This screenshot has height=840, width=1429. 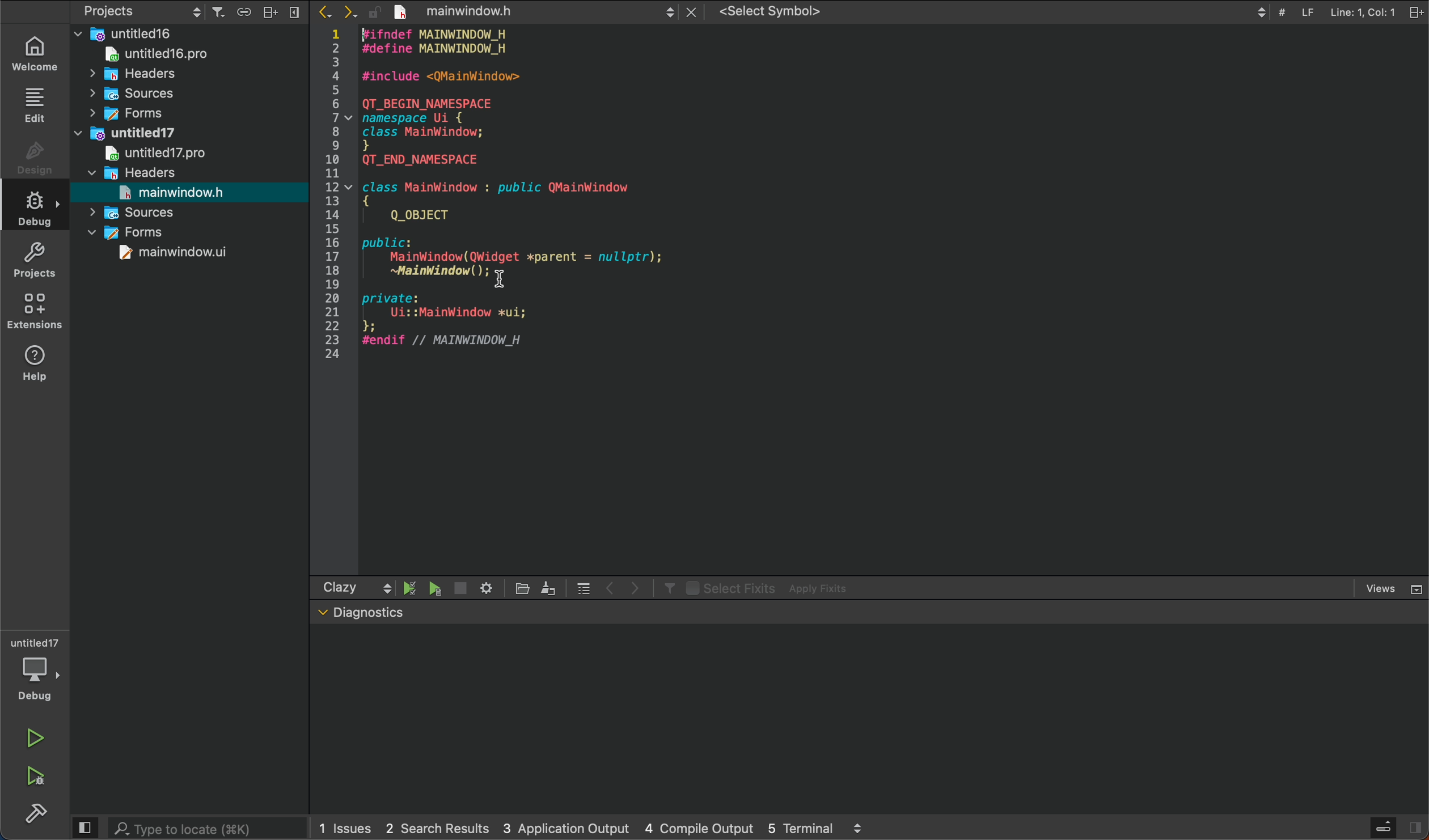 I want to click on Logs, so click(x=859, y=828).